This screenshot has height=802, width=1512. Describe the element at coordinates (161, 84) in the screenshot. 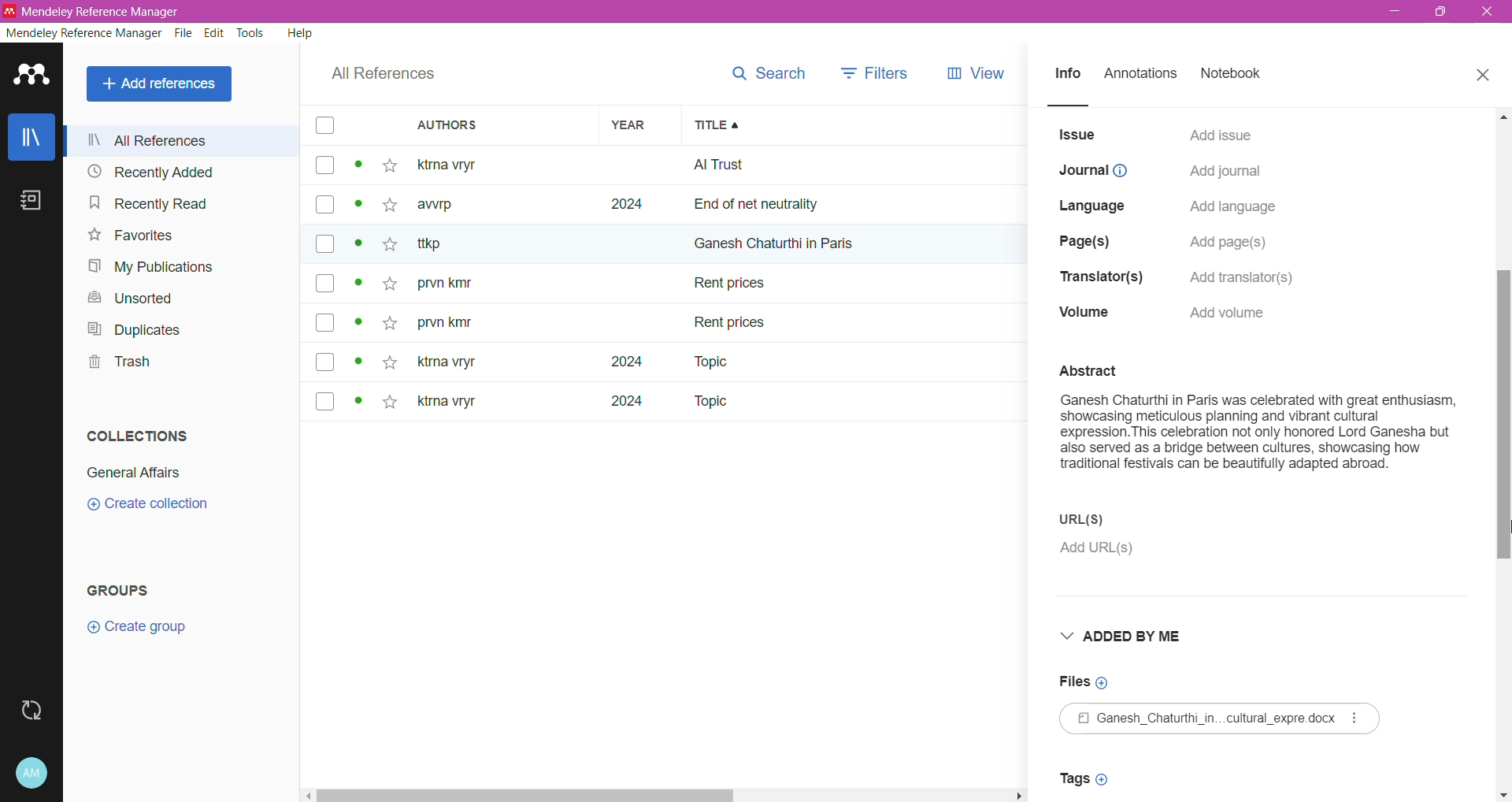

I see `Add References` at that location.